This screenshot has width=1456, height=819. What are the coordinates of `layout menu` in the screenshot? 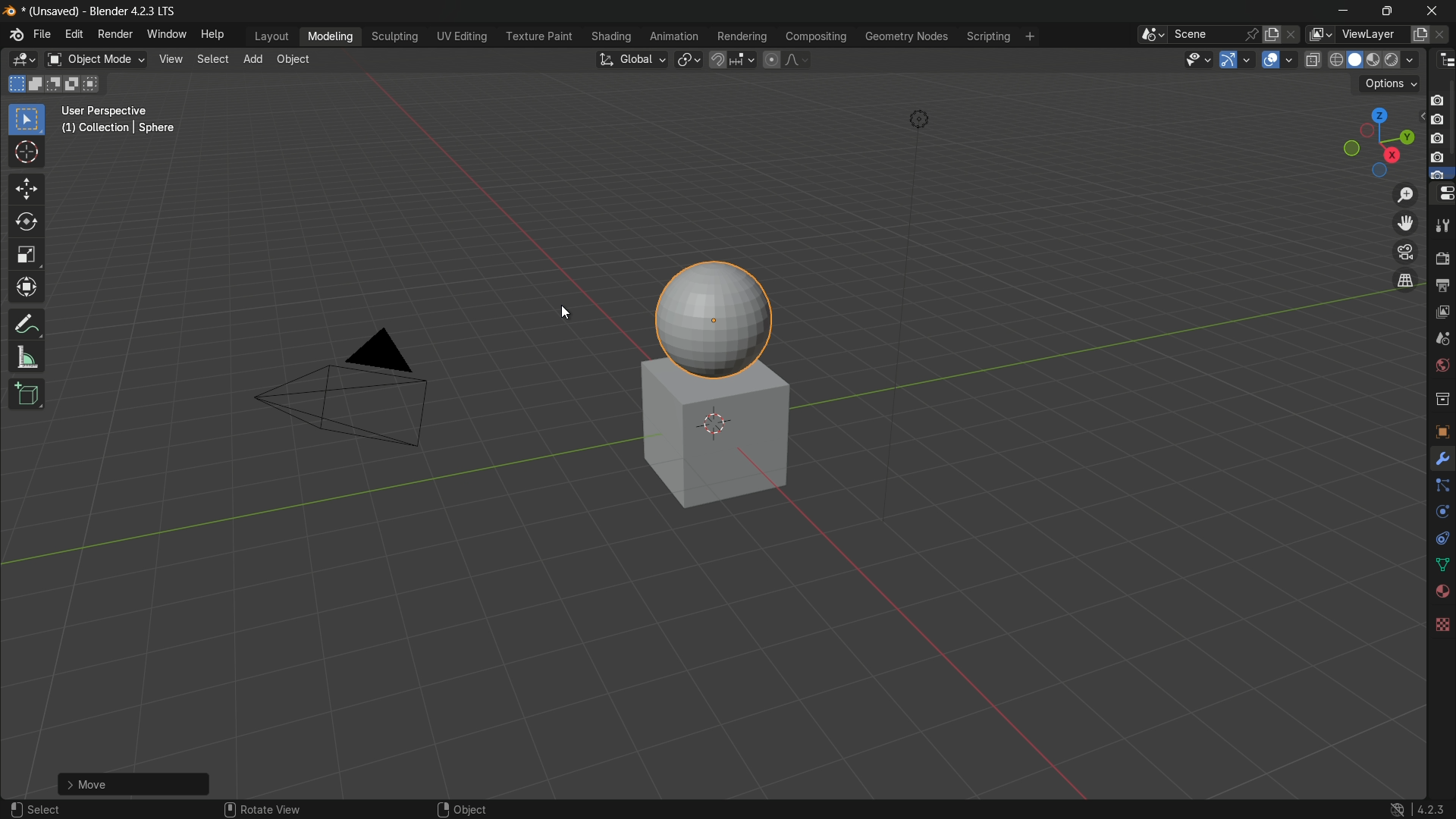 It's located at (270, 36).